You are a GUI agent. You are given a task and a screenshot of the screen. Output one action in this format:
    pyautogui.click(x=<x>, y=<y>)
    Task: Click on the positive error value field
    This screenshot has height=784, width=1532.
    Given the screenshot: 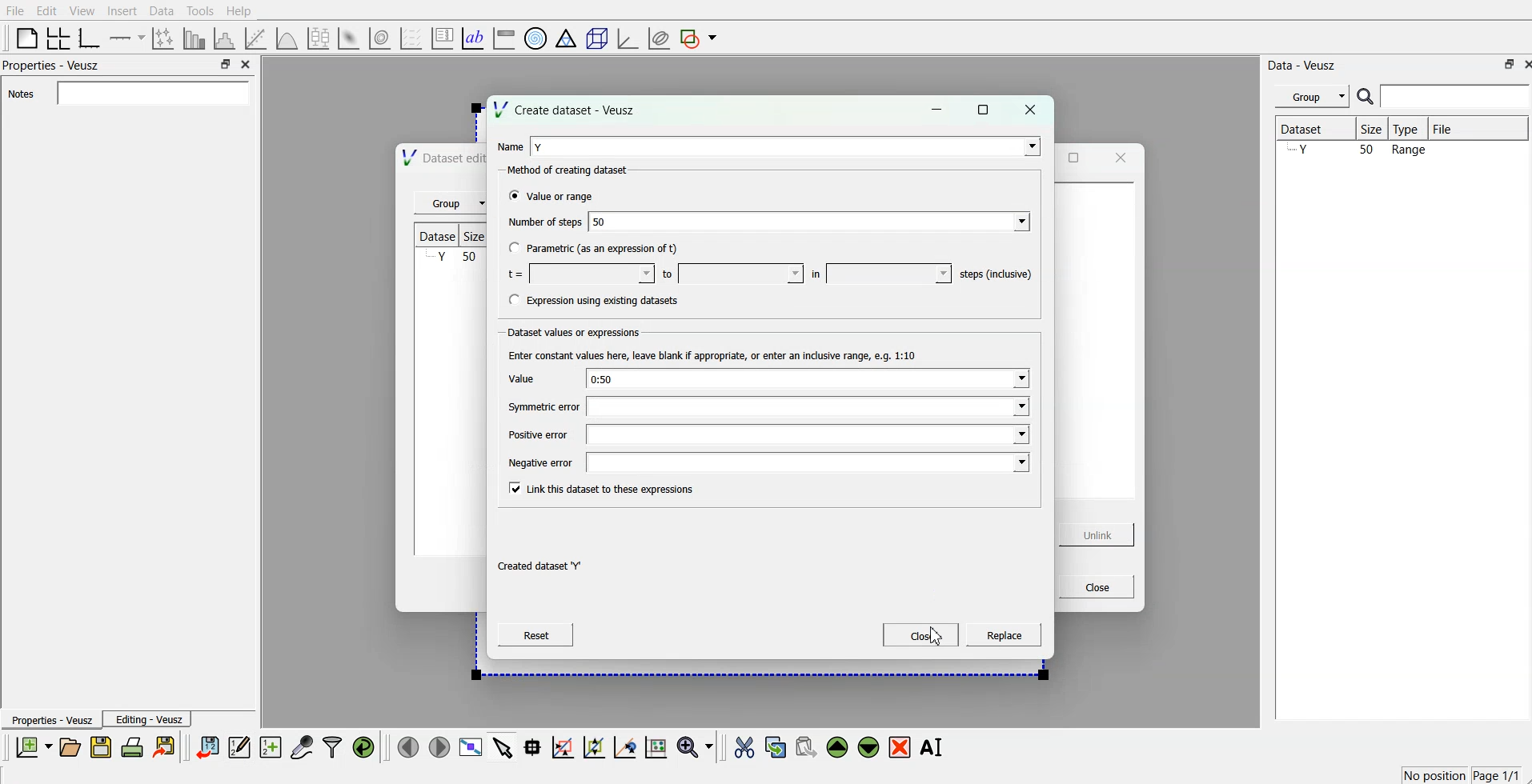 What is the action you would take?
    pyautogui.click(x=810, y=436)
    